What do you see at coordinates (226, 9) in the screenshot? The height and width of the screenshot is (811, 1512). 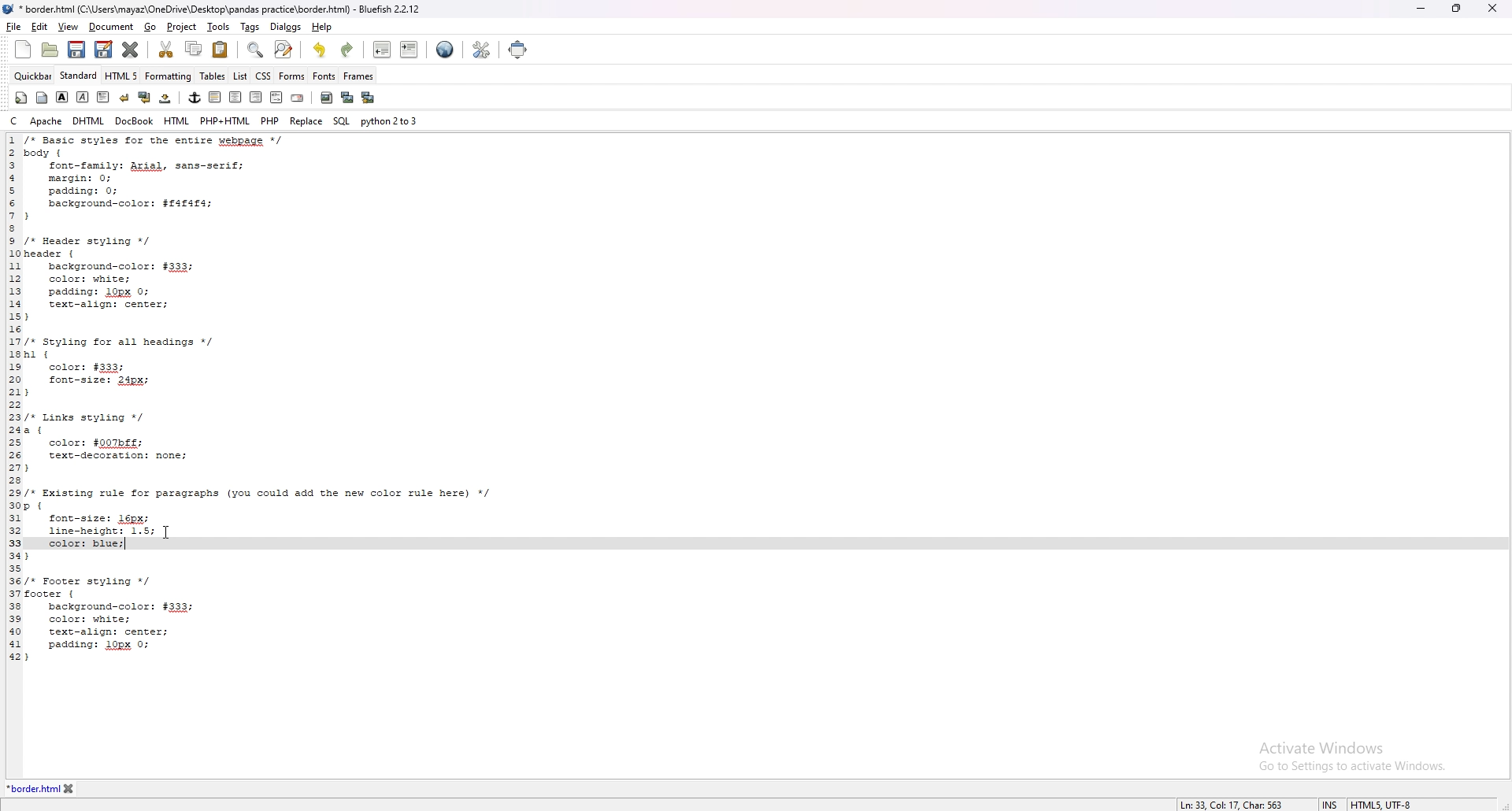 I see `*border.html (C:\Users\mayaz\OneDrive\Desktop\pandas practice\border.html) - Bluefish 2.2.12` at bounding box center [226, 9].